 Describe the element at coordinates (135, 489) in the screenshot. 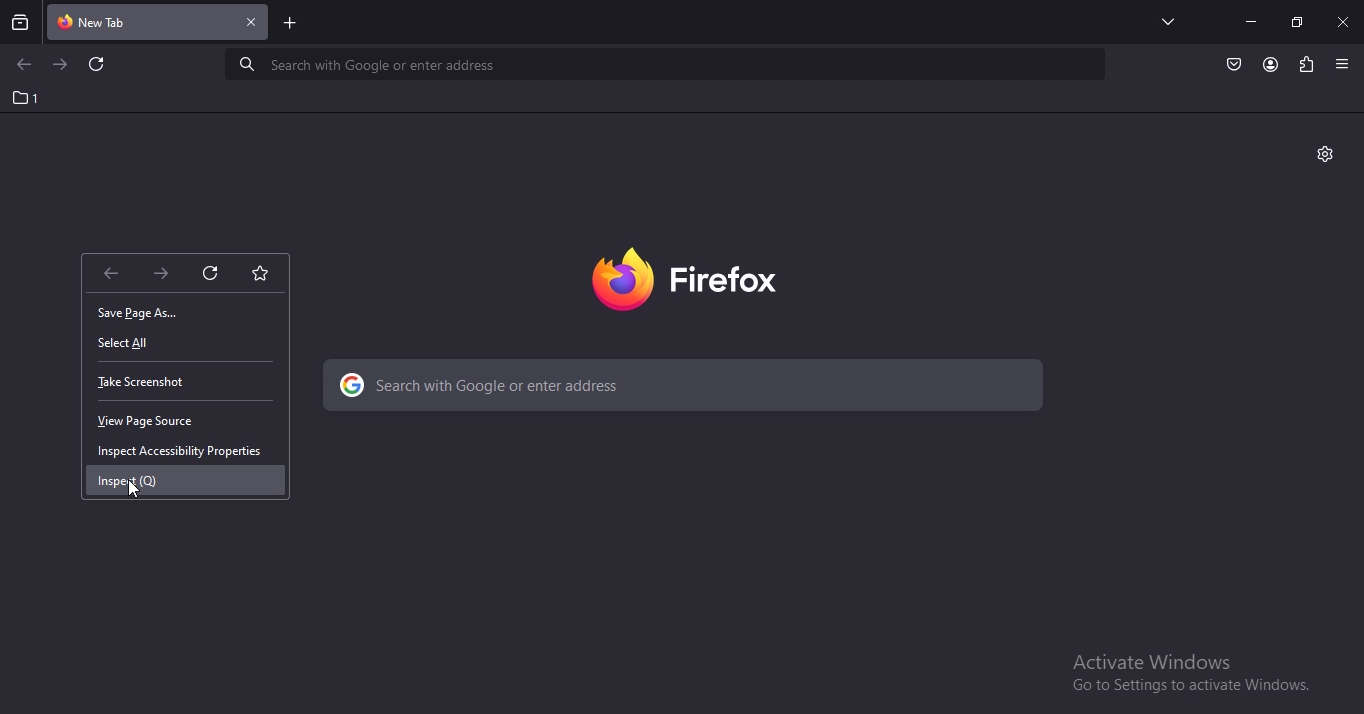

I see `cursor` at that location.